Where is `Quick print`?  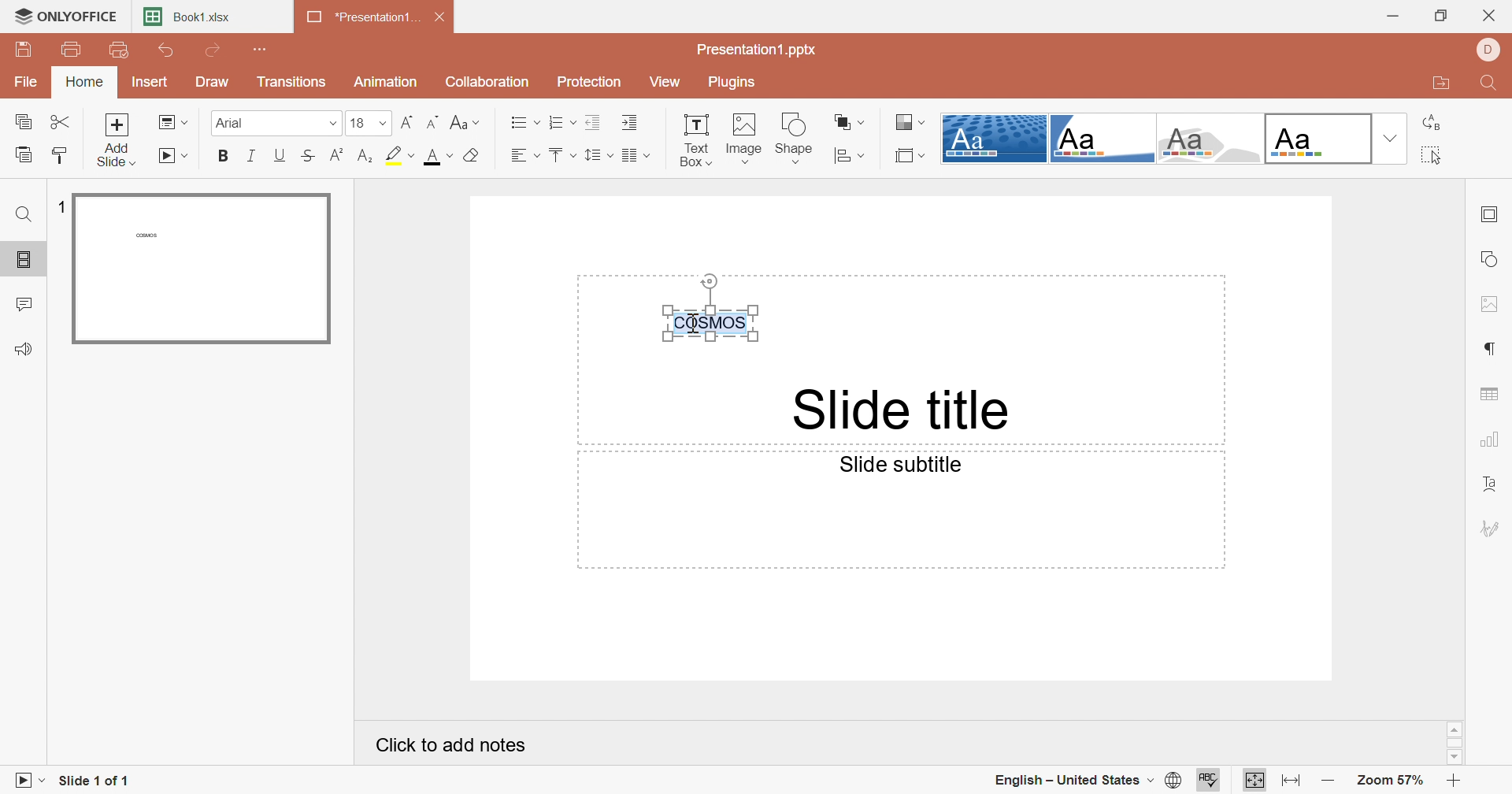
Quick print is located at coordinates (119, 52).